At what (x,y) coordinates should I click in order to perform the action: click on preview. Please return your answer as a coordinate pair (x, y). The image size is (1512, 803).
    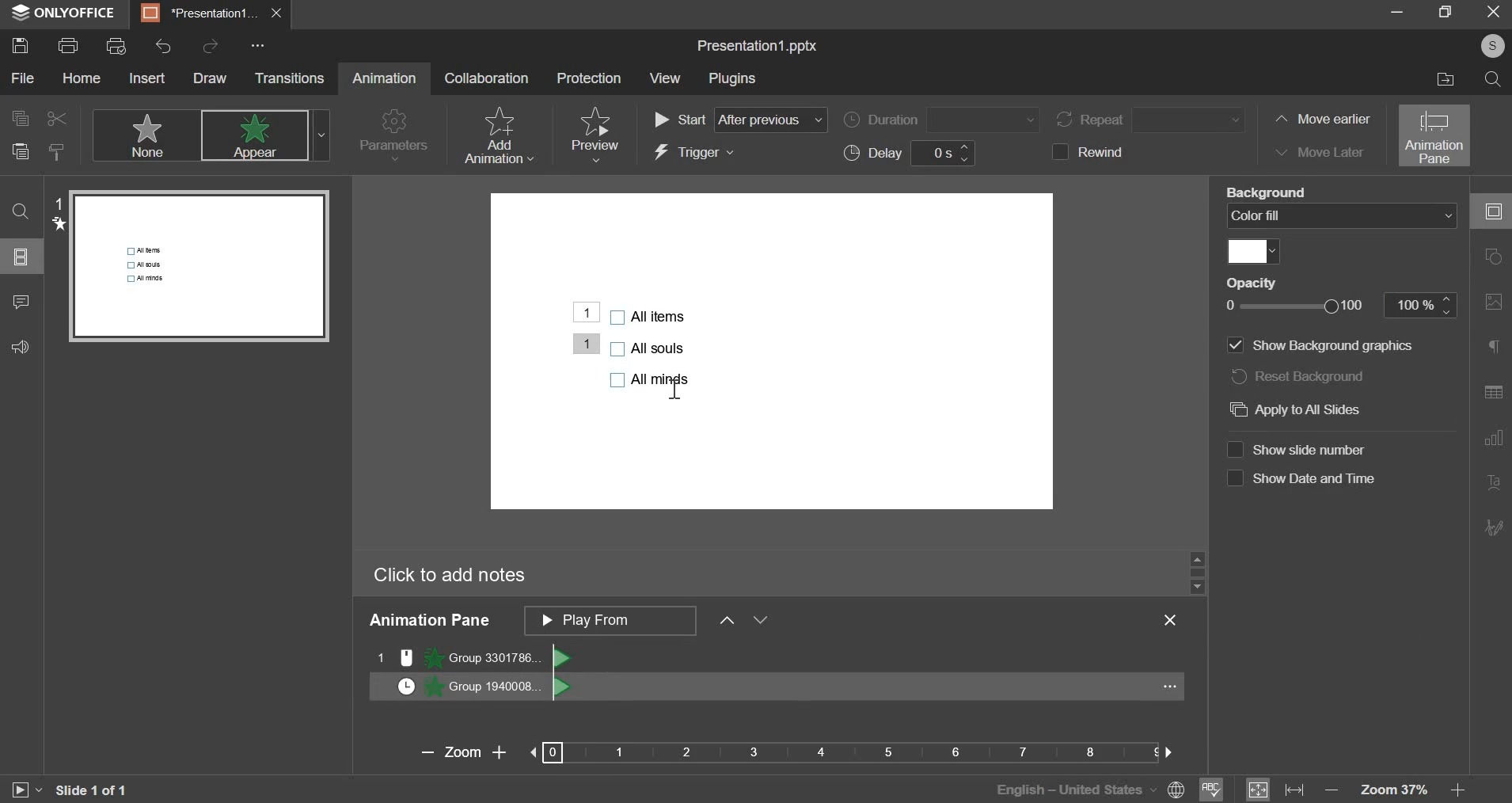
    Looking at the image, I should click on (594, 134).